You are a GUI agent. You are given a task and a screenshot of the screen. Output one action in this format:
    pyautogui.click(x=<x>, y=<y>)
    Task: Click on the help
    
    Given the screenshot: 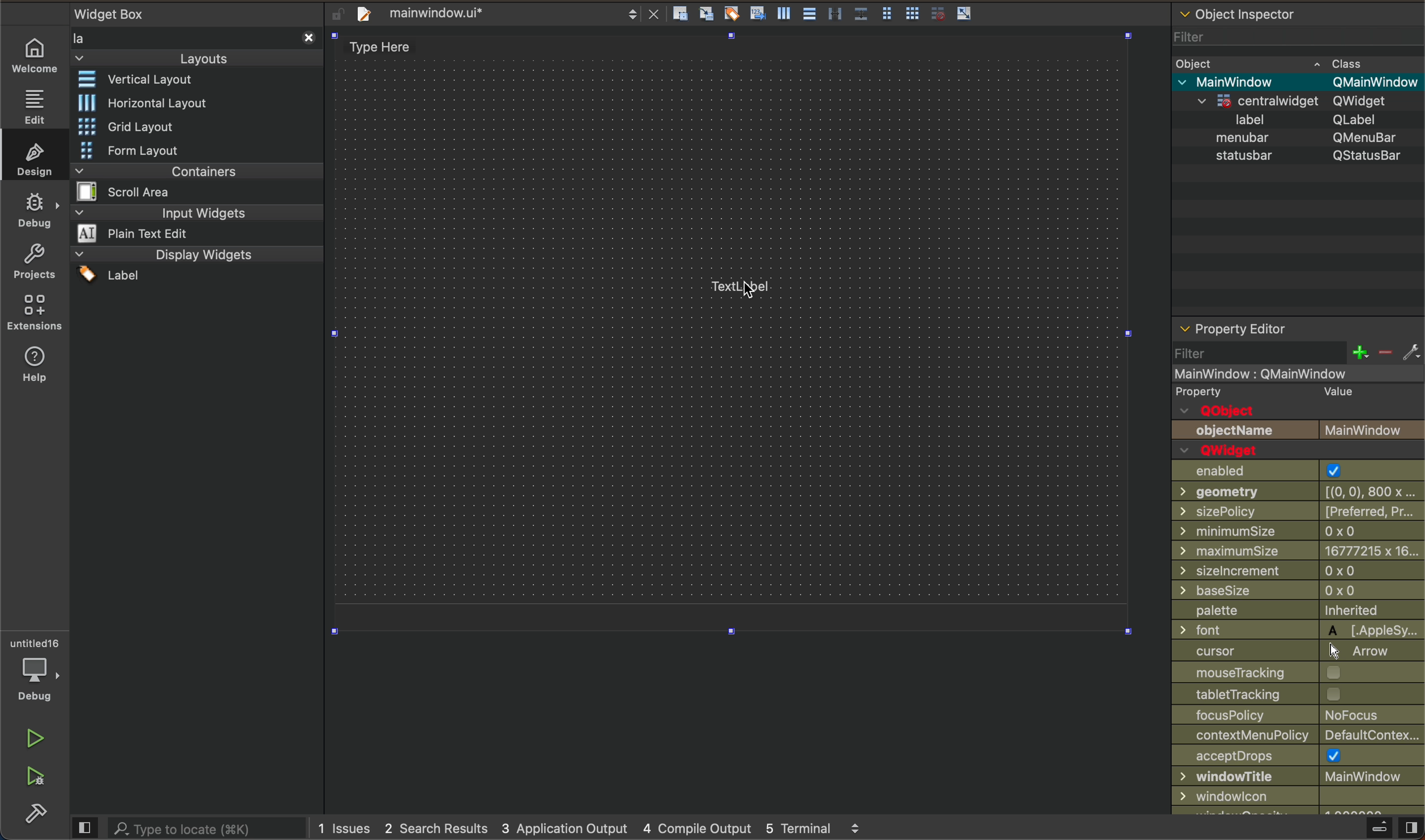 What is the action you would take?
    pyautogui.click(x=32, y=366)
    